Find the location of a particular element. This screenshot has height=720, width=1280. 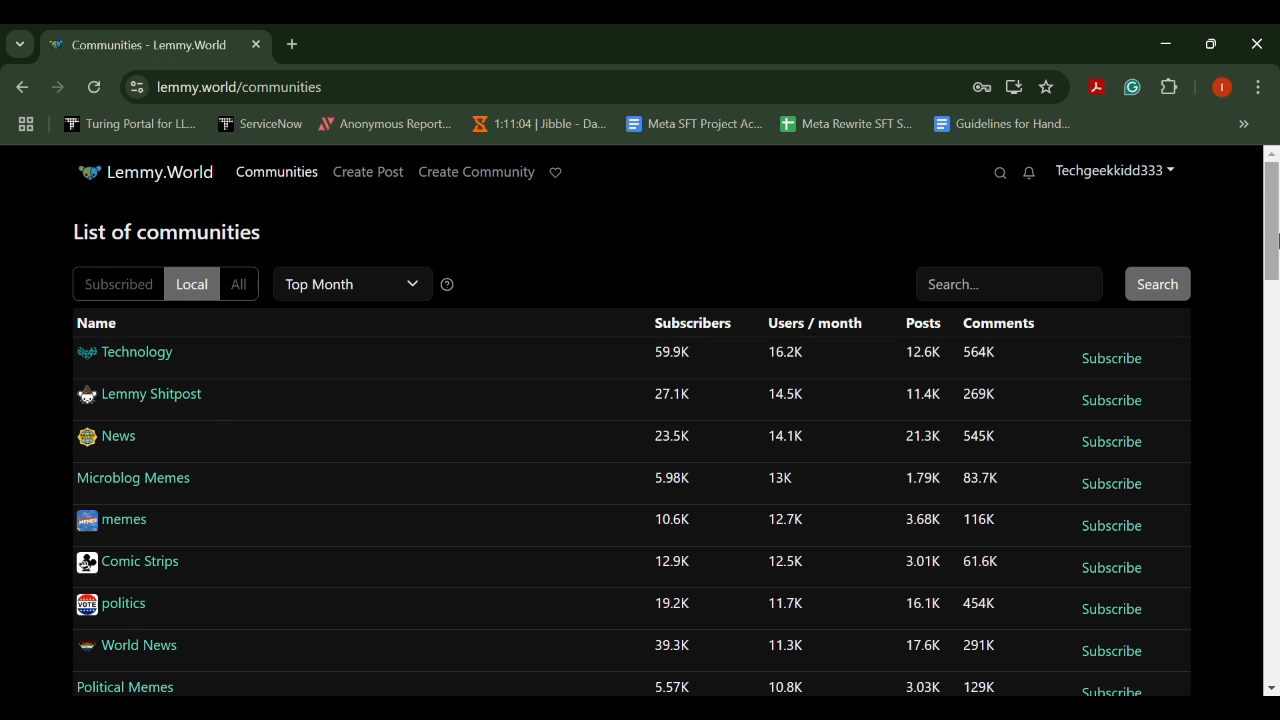

Subscribe is located at coordinates (1110, 484).